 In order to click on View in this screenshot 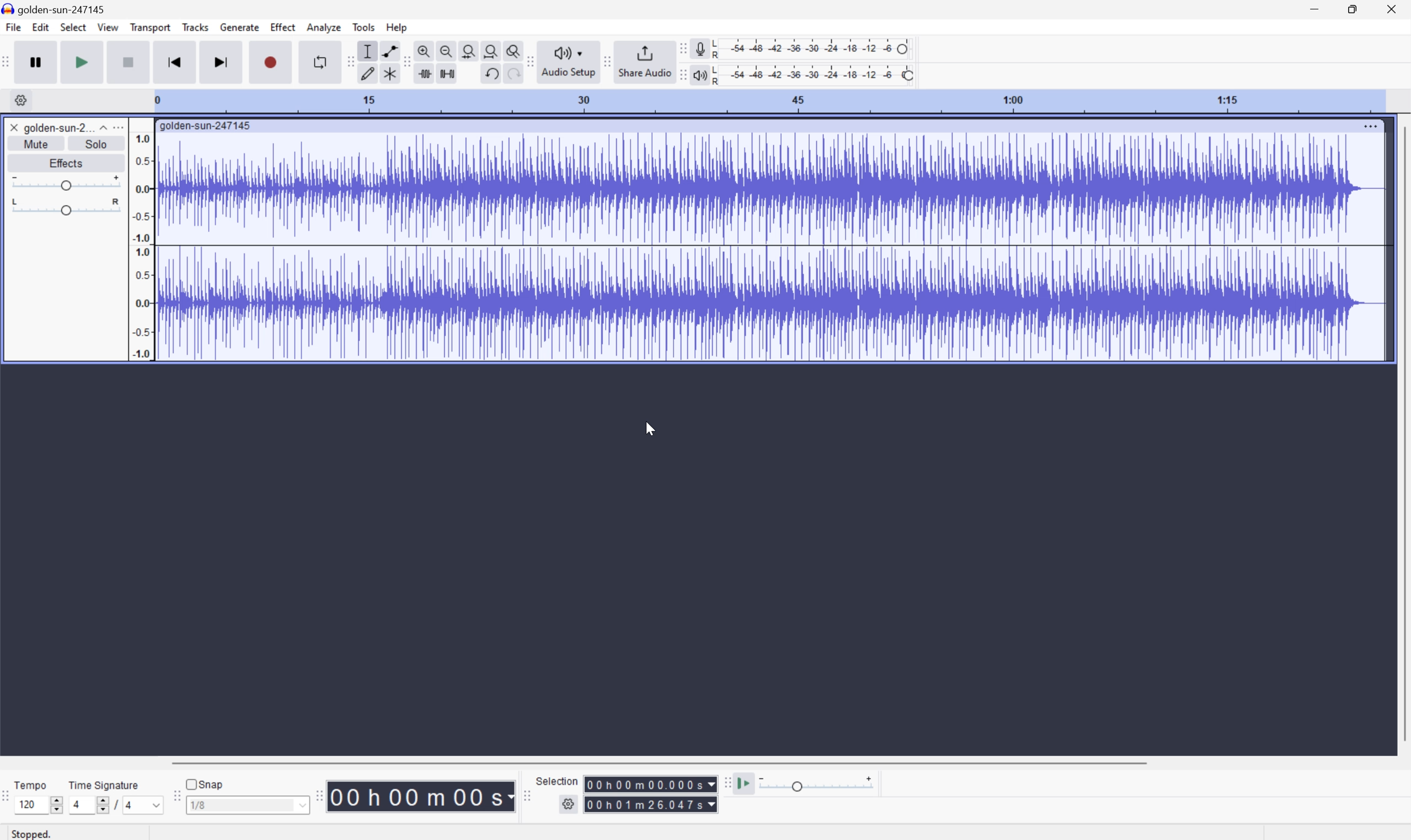, I will do `click(109, 27)`.